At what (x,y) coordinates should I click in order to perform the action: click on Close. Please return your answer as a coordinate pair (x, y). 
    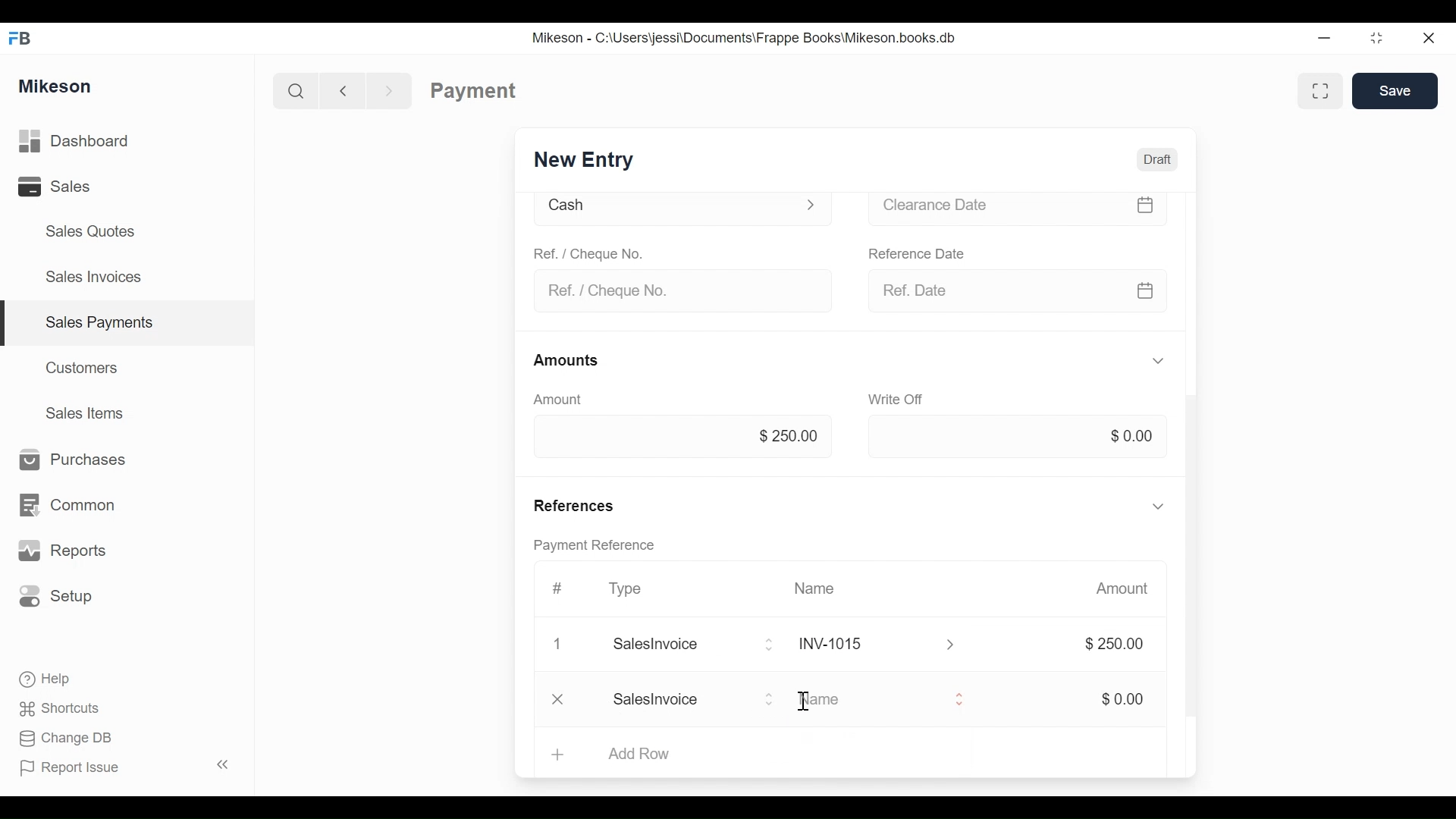
    Looking at the image, I should click on (557, 697).